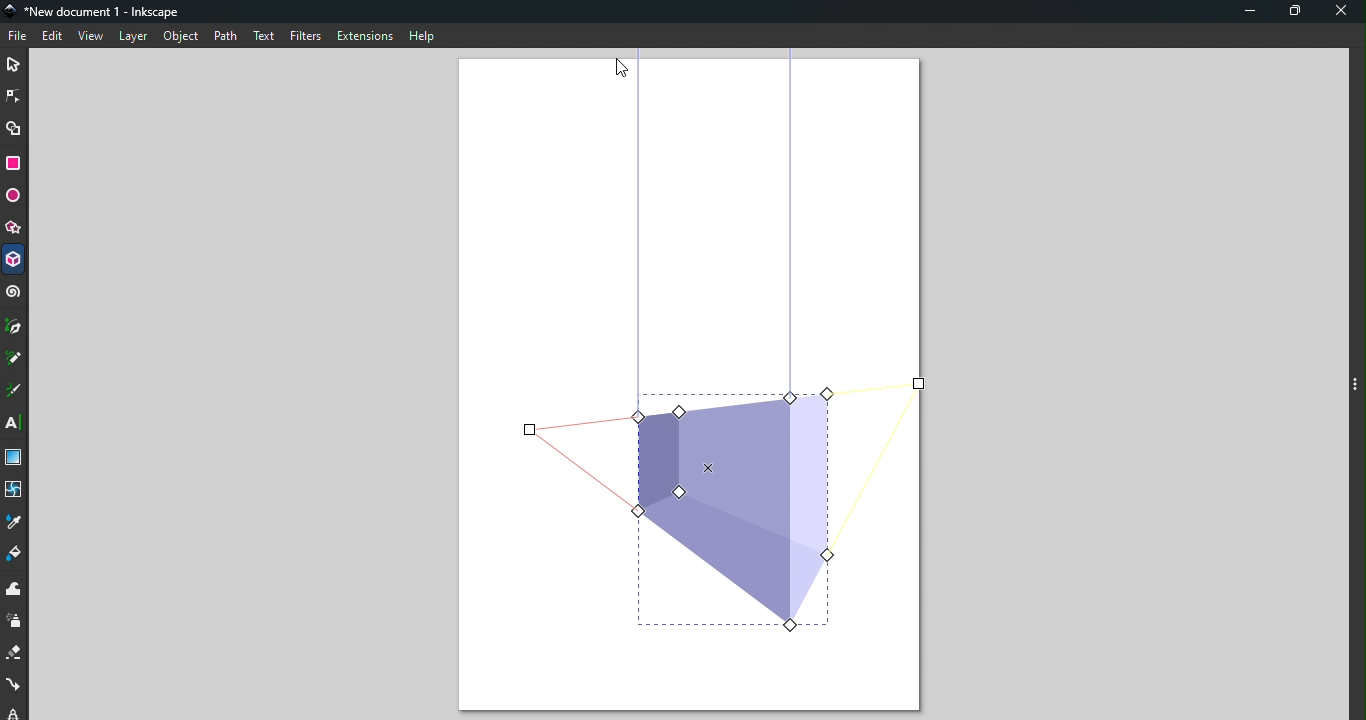  Describe the element at coordinates (14, 259) in the screenshot. I see `3D box tool` at that location.